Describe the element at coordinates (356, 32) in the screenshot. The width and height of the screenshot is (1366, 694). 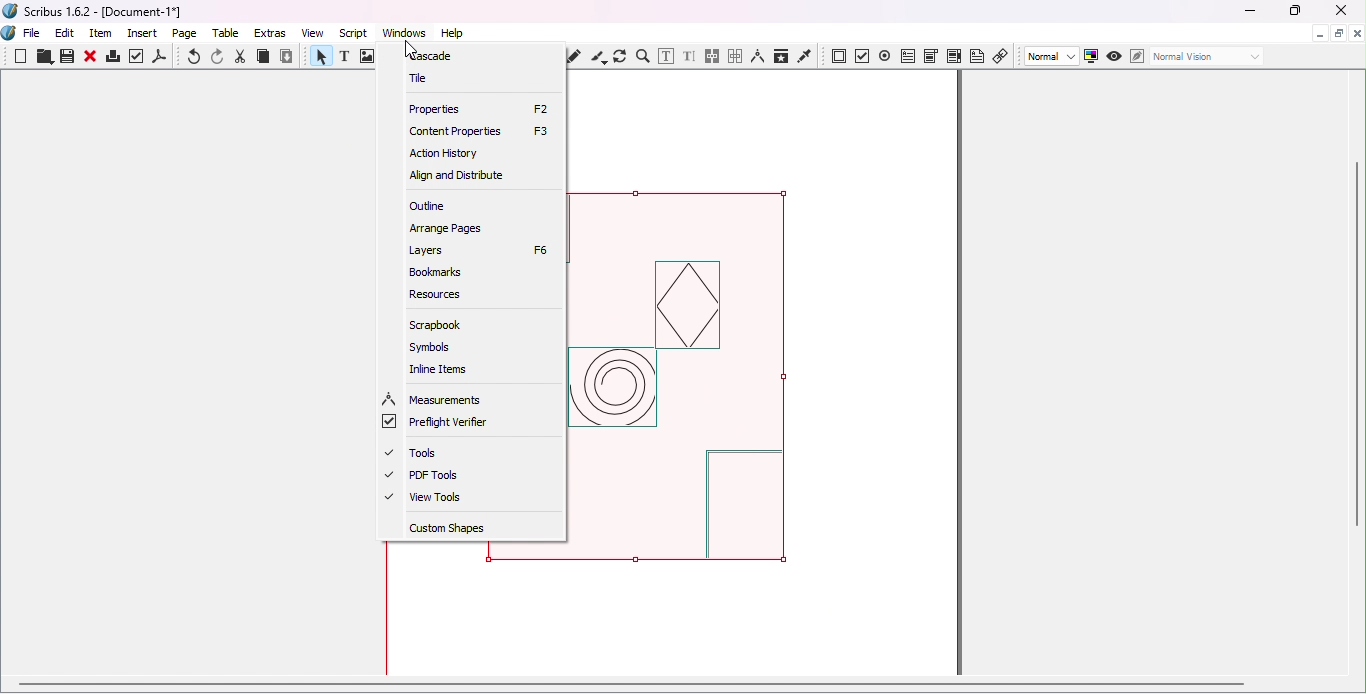
I see `Script` at that location.